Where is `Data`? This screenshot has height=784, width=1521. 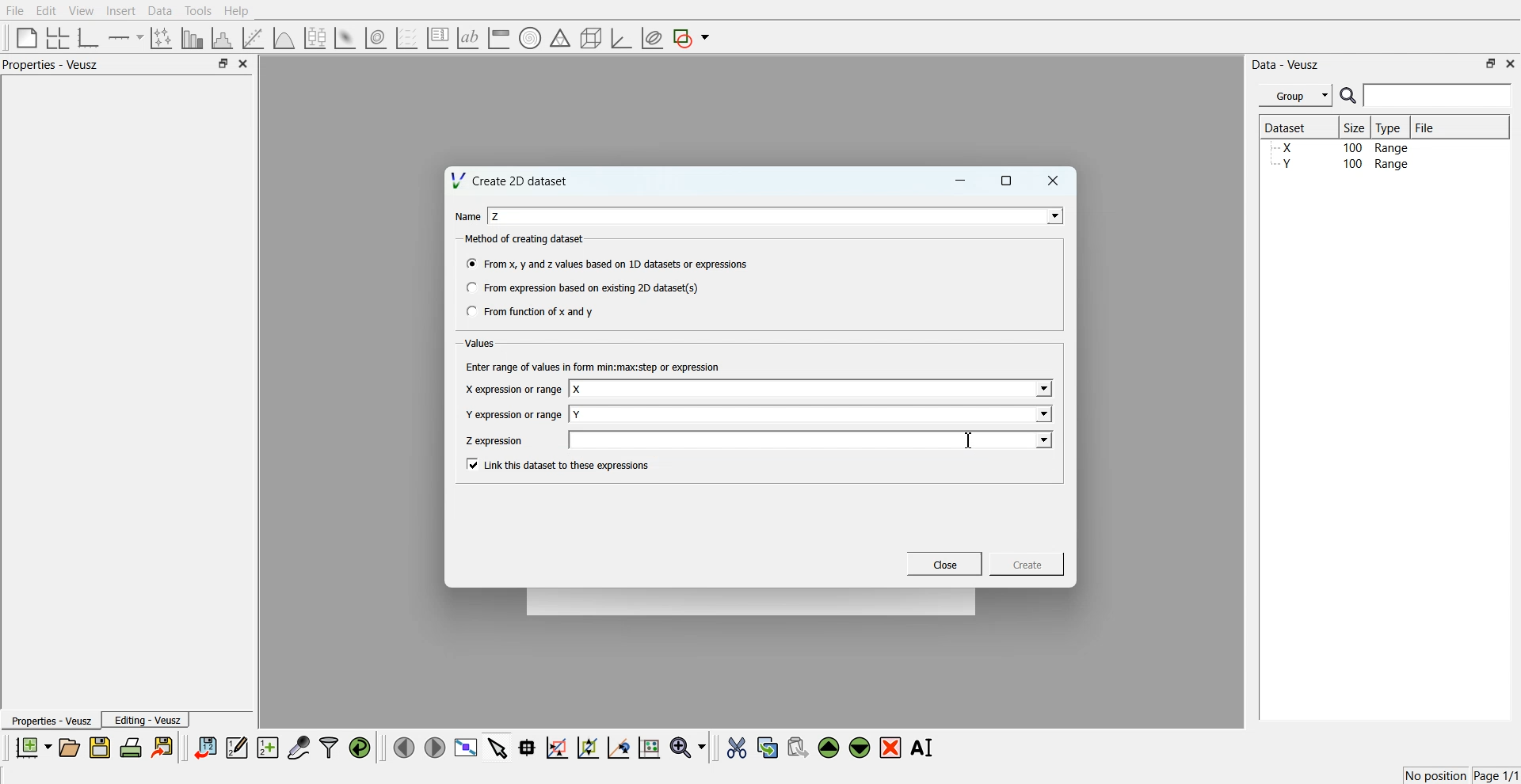 Data is located at coordinates (162, 11).